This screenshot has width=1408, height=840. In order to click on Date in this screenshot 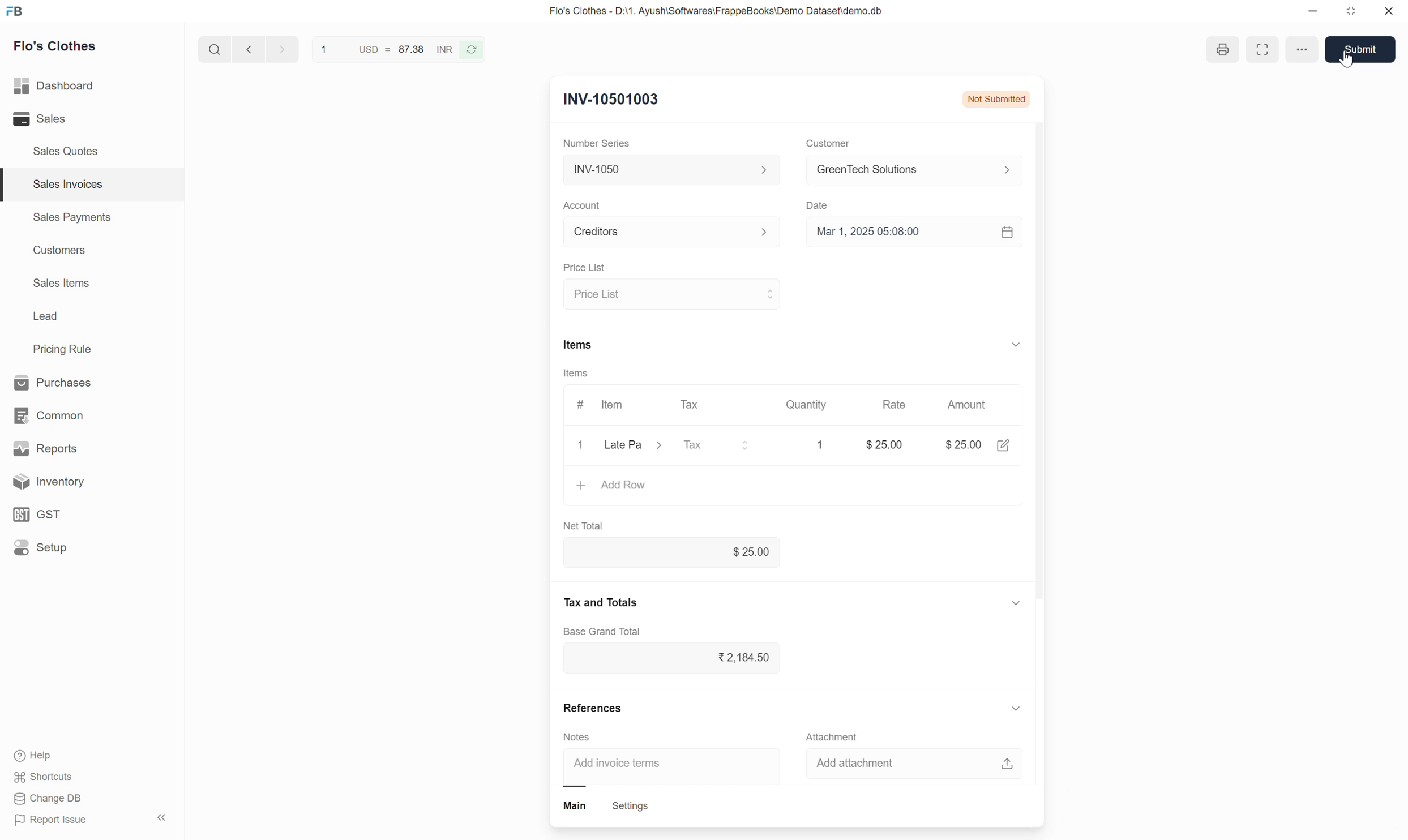, I will do `click(820, 207)`.